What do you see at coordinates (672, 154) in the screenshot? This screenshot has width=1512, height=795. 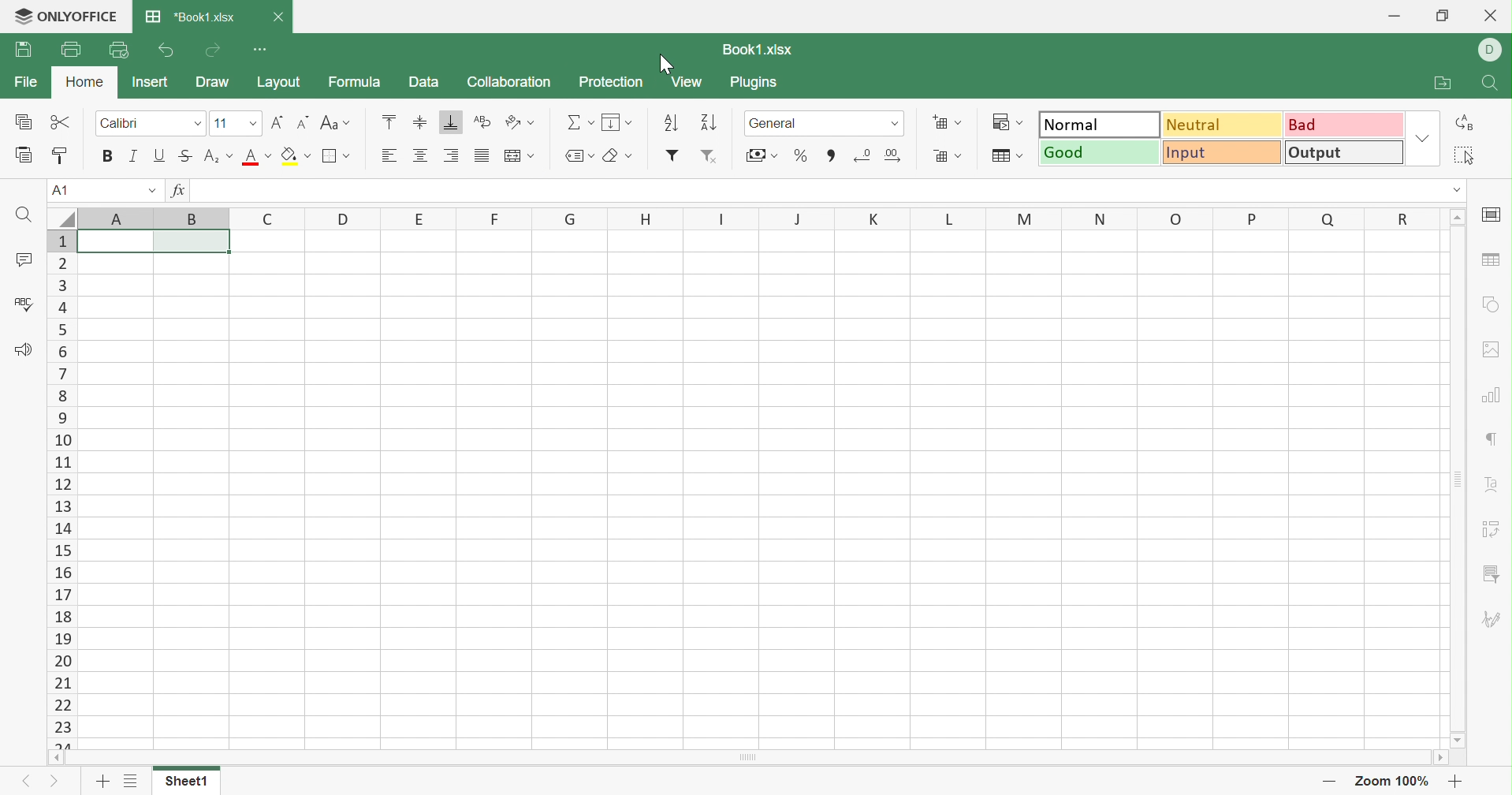 I see `Filter` at bounding box center [672, 154].